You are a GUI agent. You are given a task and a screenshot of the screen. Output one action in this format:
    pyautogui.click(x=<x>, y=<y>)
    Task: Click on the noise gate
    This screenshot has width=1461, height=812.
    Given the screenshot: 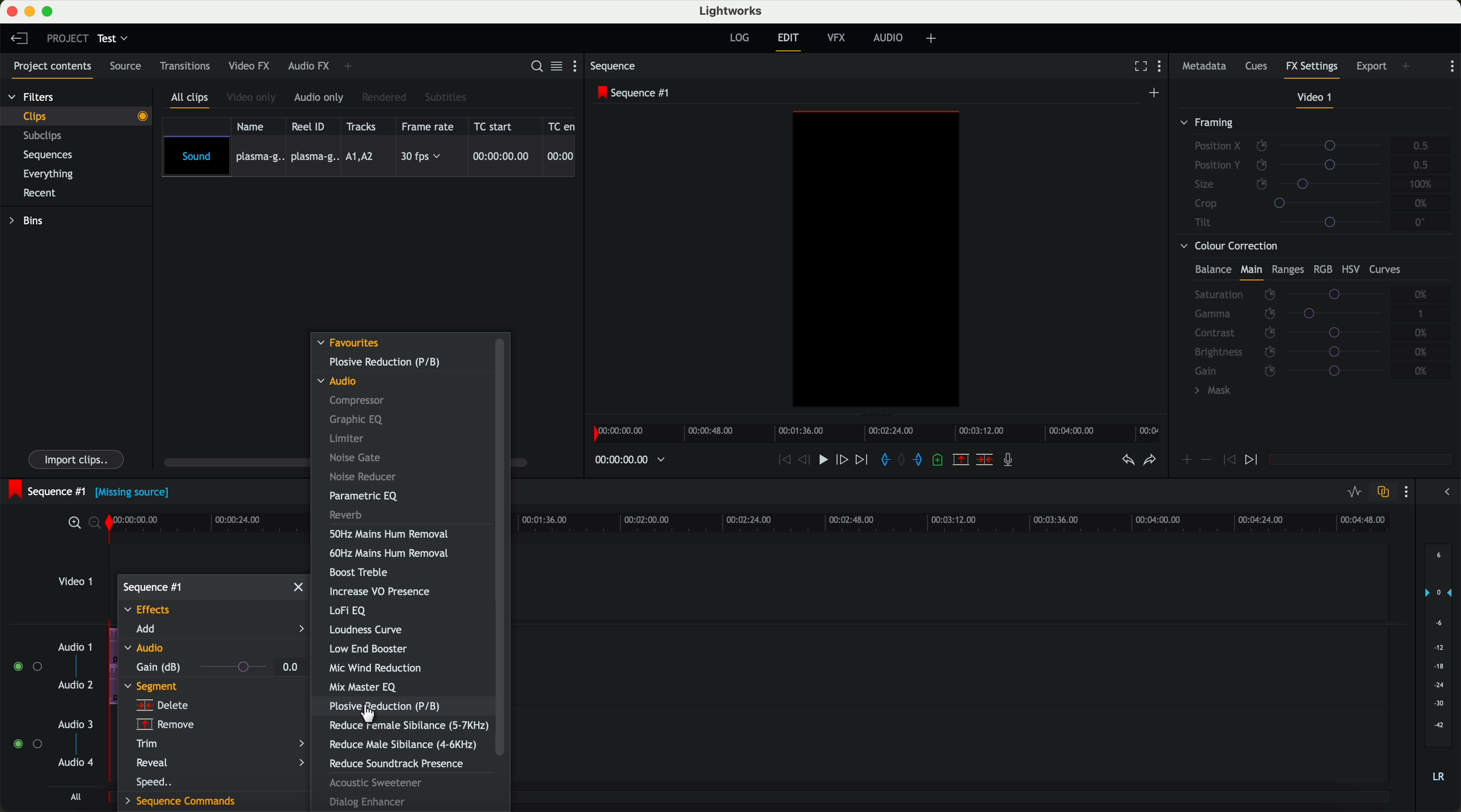 What is the action you would take?
    pyautogui.click(x=356, y=458)
    